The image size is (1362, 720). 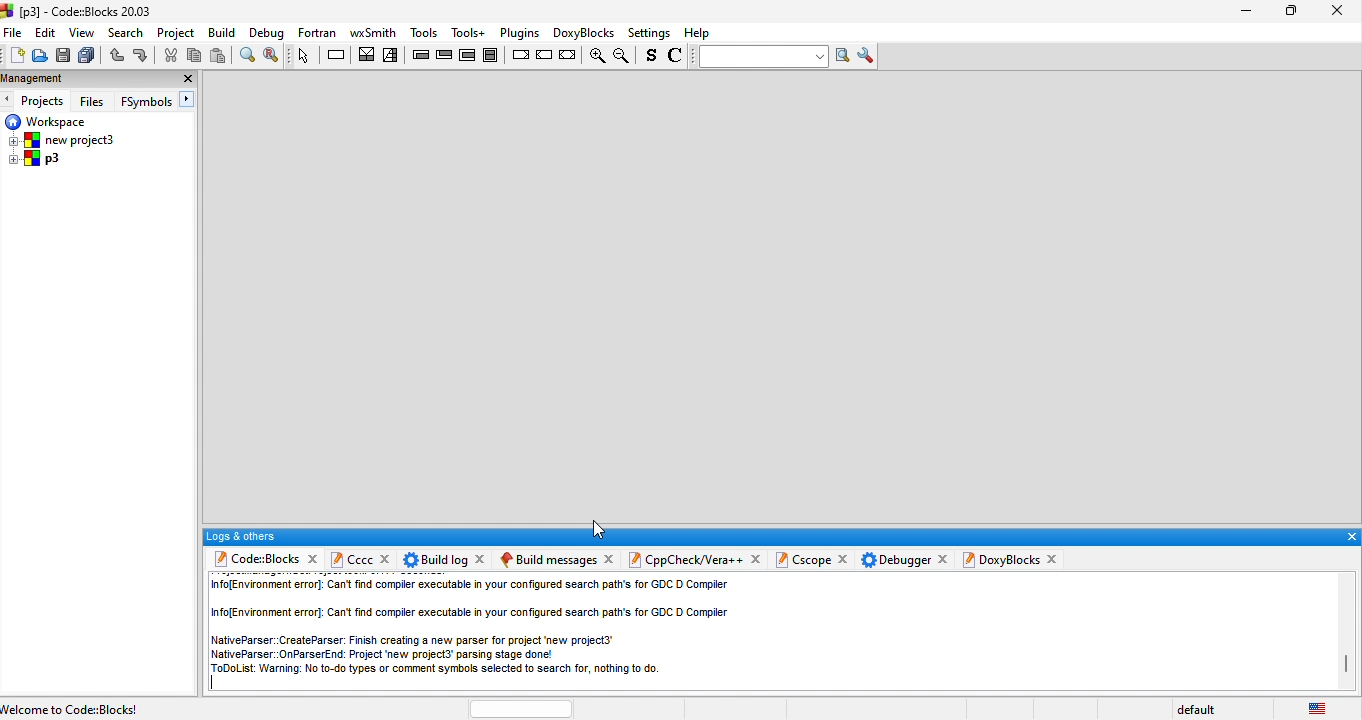 What do you see at coordinates (178, 32) in the screenshot?
I see `project` at bounding box center [178, 32].